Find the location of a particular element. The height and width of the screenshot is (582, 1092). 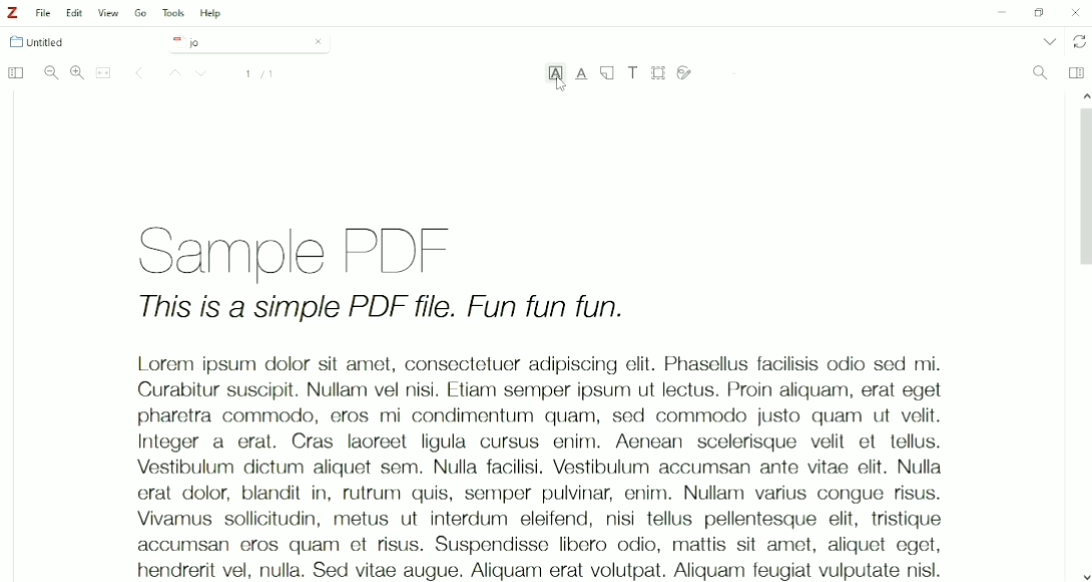

Highlight Text is located at coordinates (555, 75).